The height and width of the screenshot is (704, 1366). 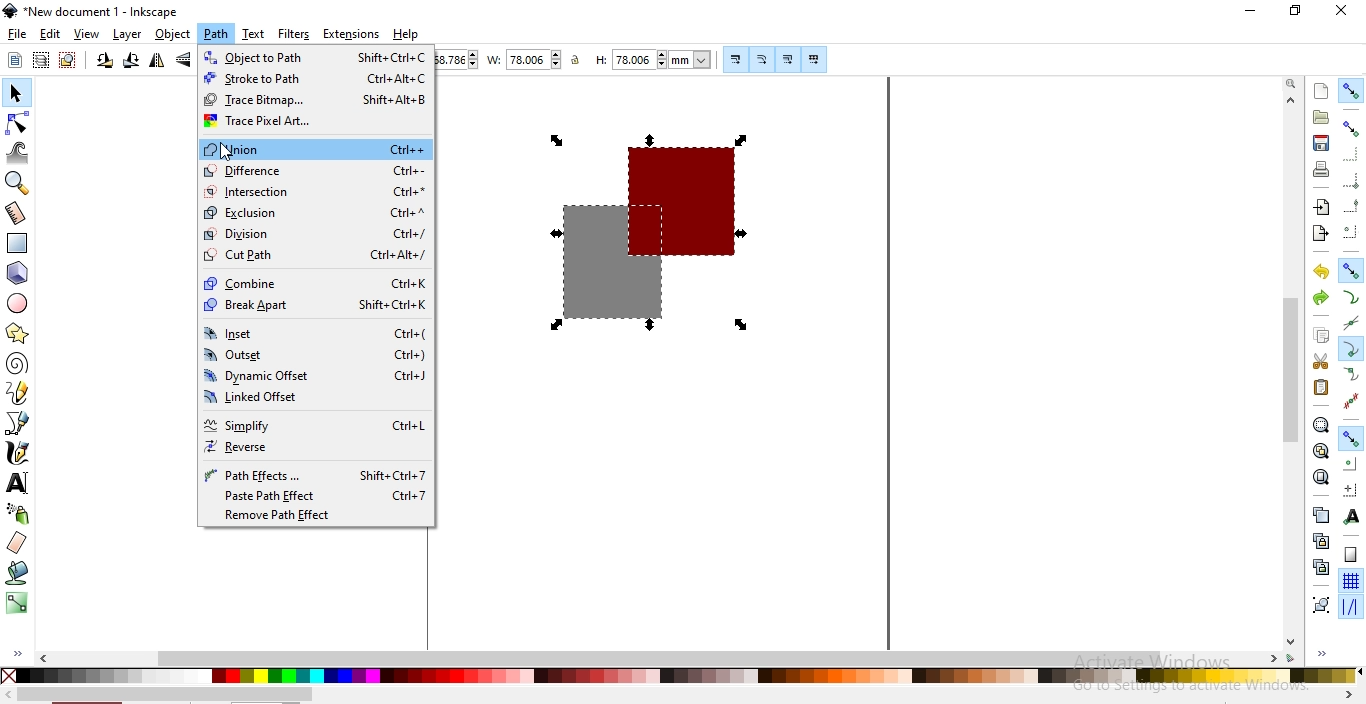 What do you see at coordinates (1352, 90) in the screenshot?
I see `enable snapping` at bounding box center [1352, 90].